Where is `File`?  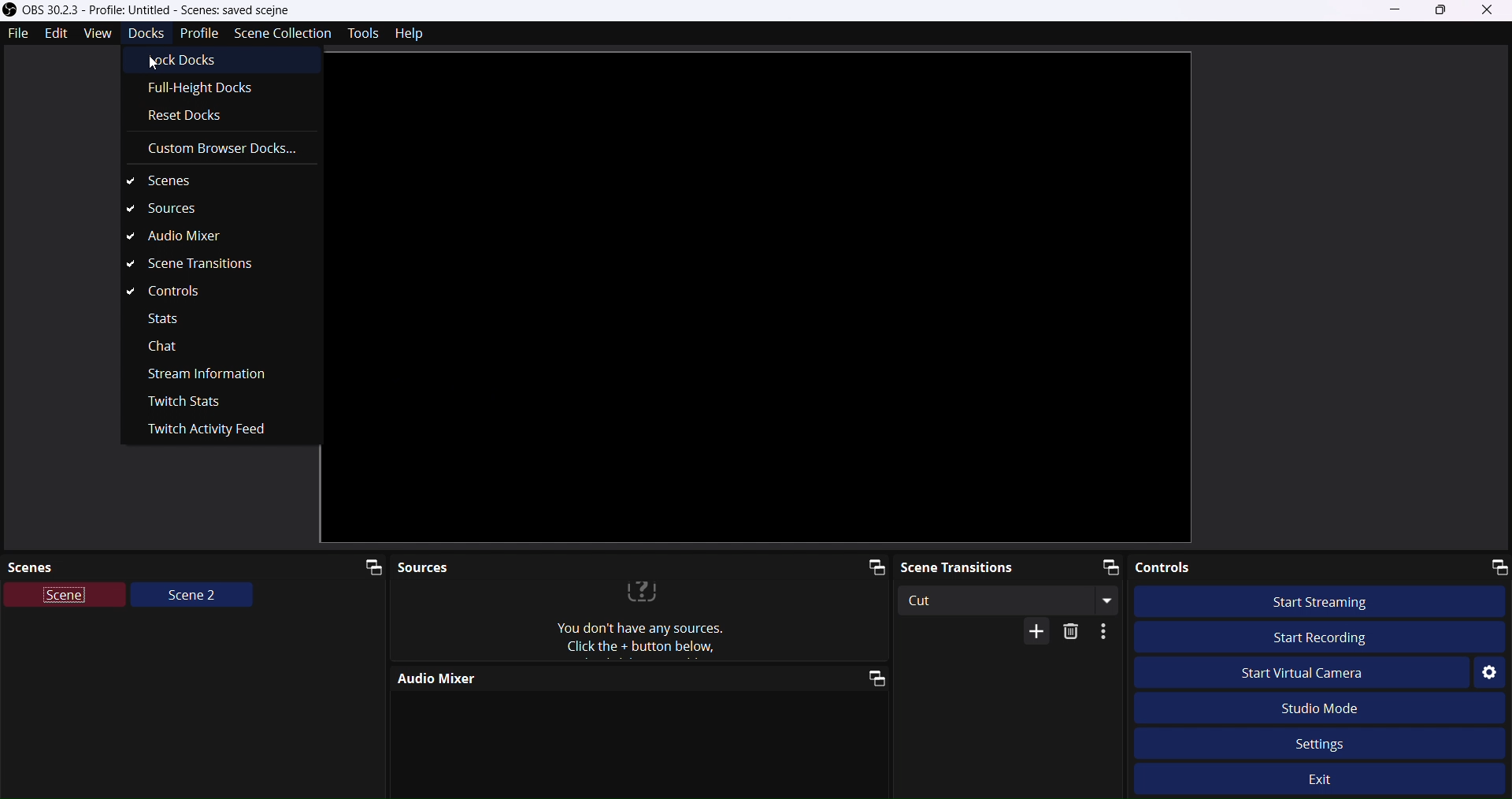
File is located at coordinates (18, 34).